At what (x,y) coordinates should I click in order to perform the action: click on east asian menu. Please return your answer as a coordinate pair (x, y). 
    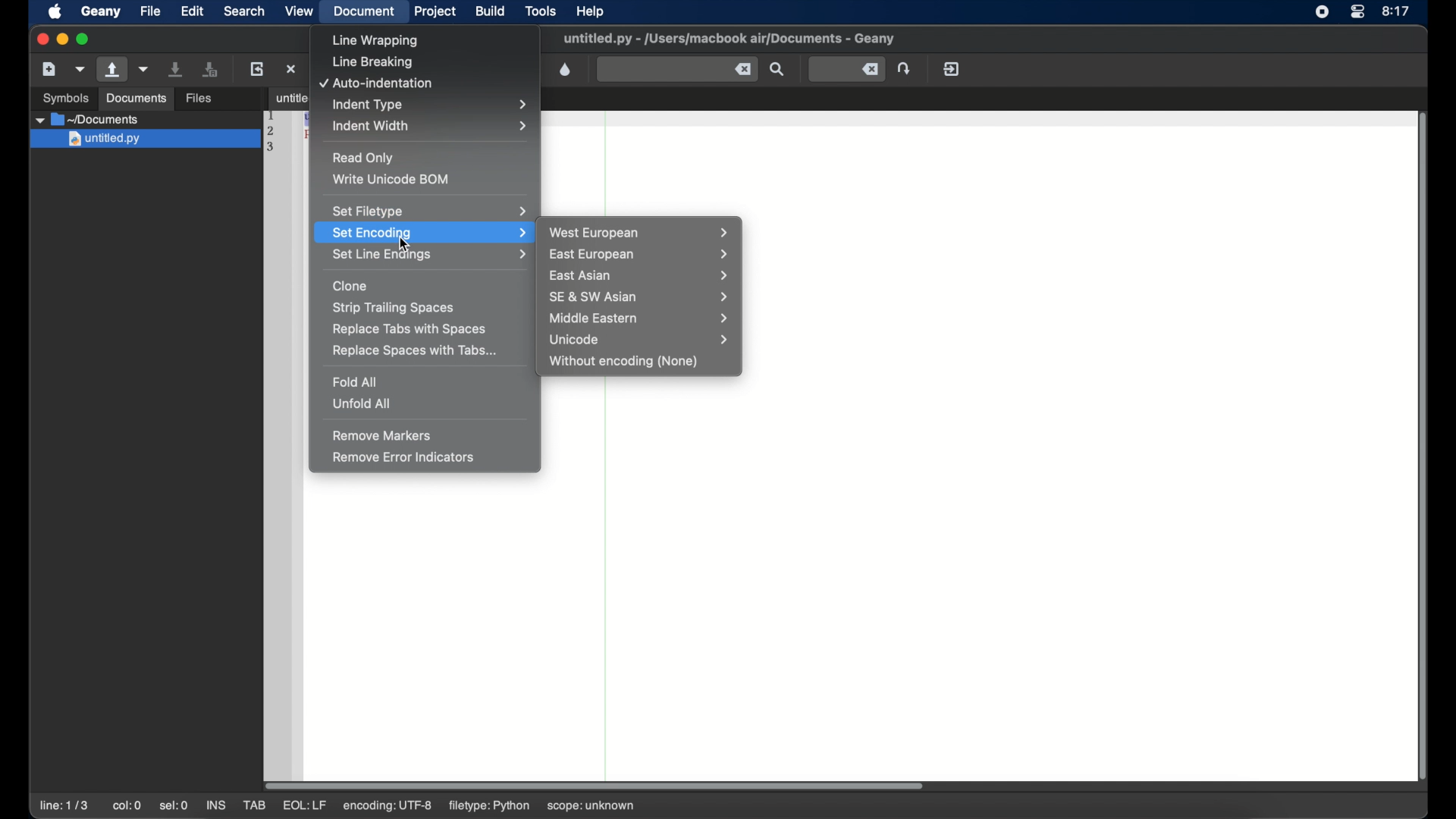
    Looking at the image, I should click on (641, 276).